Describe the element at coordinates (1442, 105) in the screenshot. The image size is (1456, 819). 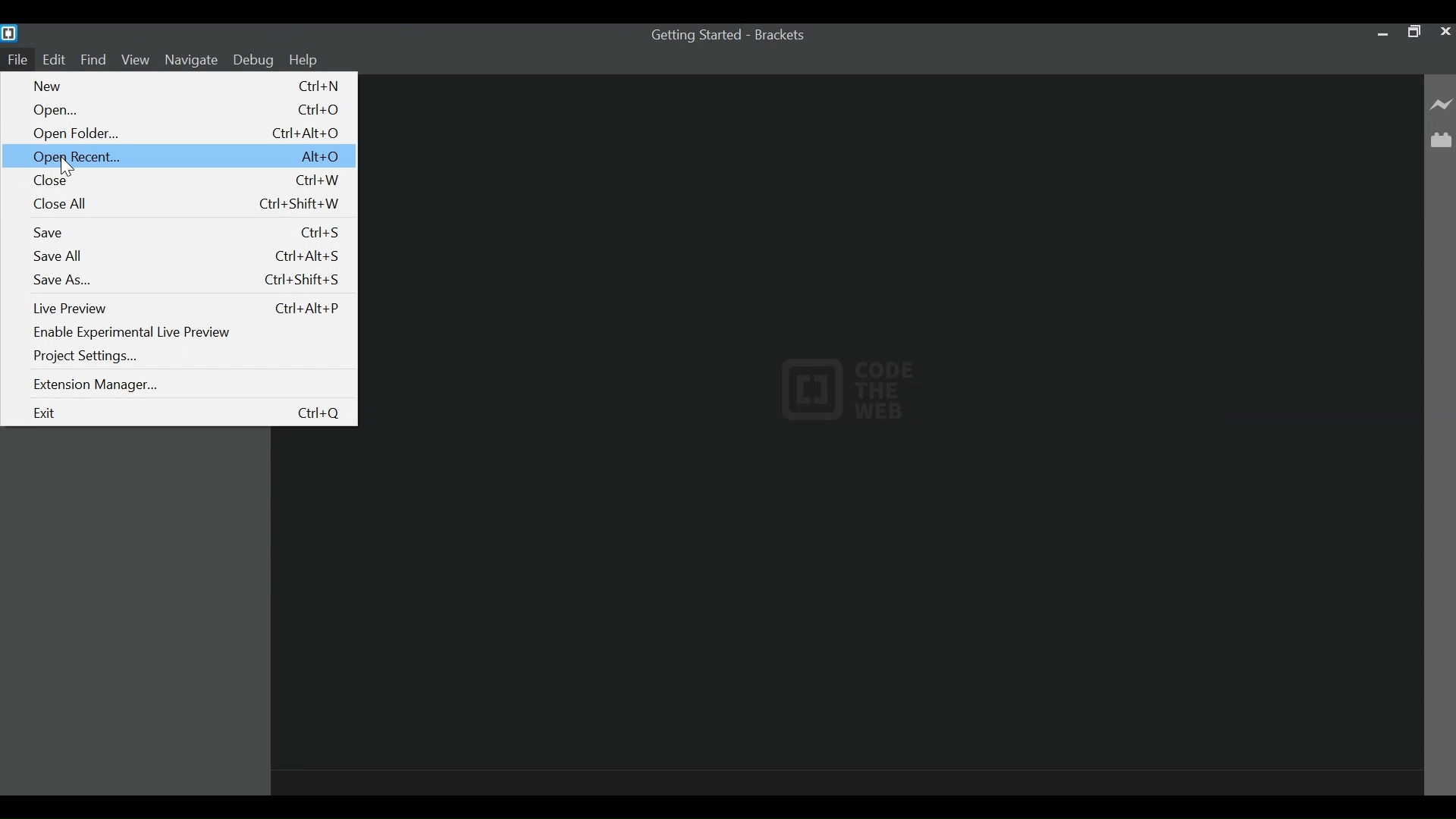
I see `Live Preview` at that location.